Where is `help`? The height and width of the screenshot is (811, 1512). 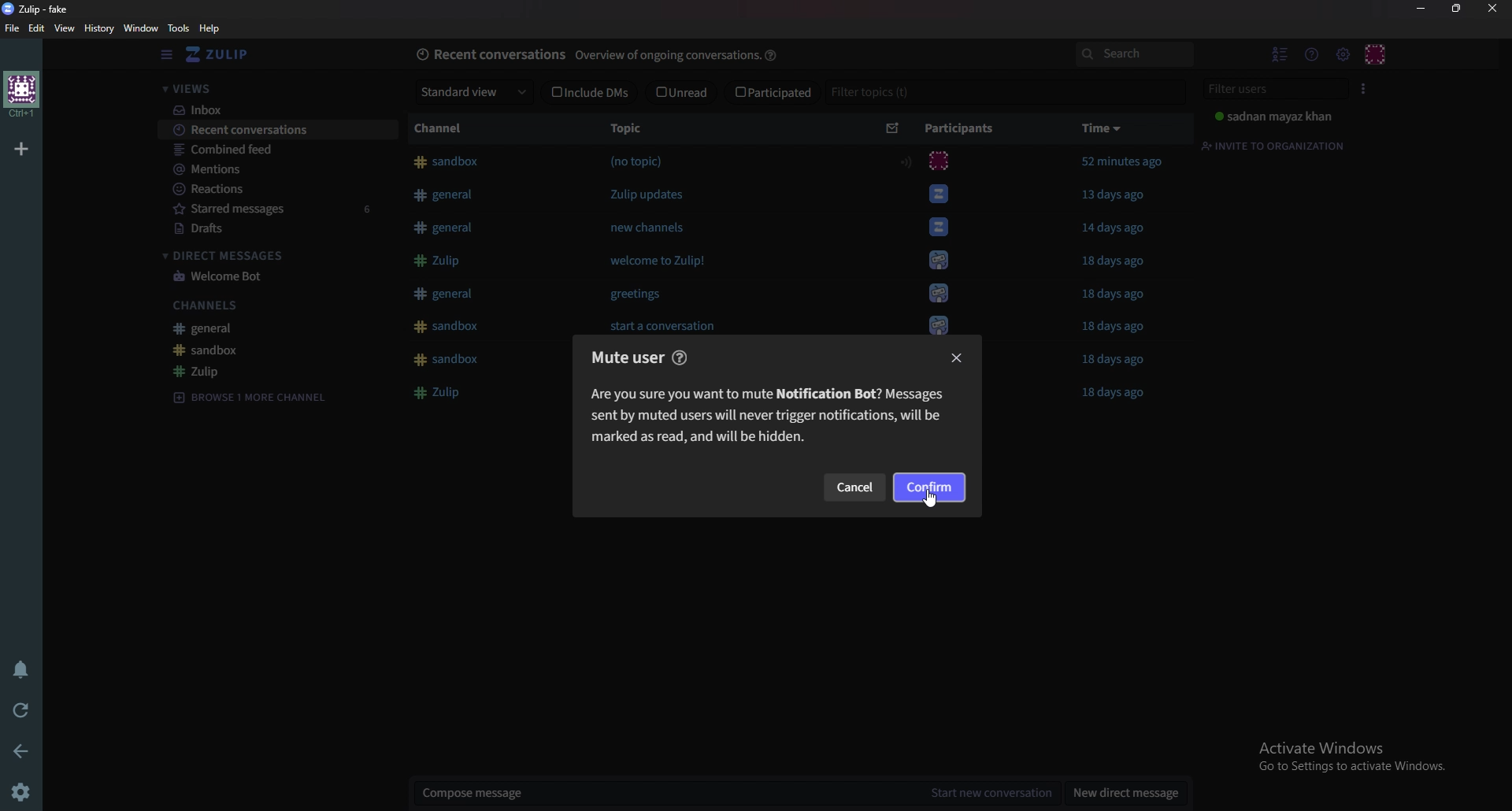
help is located at coordinates (682, 357).